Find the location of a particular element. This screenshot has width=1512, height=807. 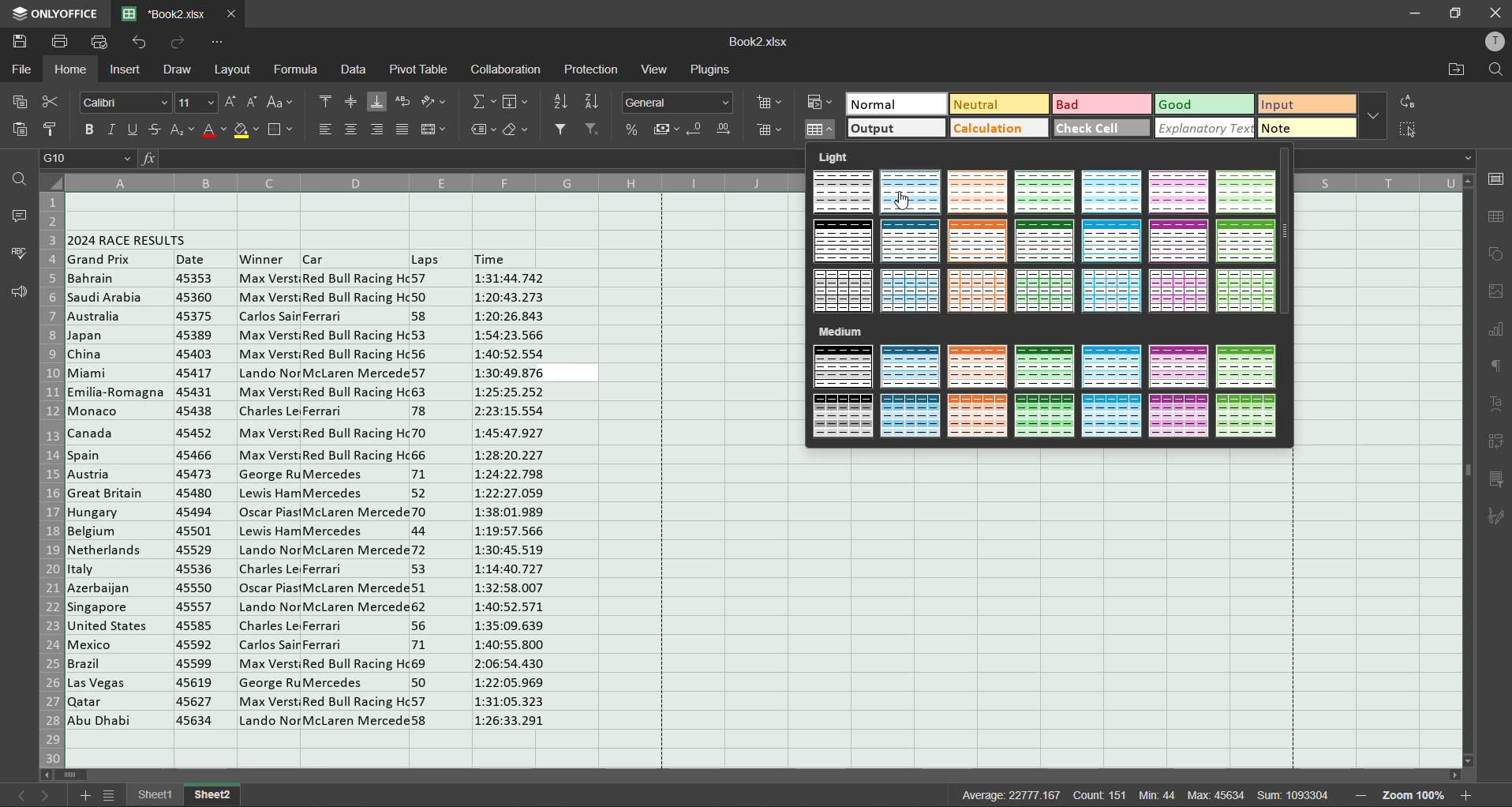

collaboration is located at coordinates (505, 69).